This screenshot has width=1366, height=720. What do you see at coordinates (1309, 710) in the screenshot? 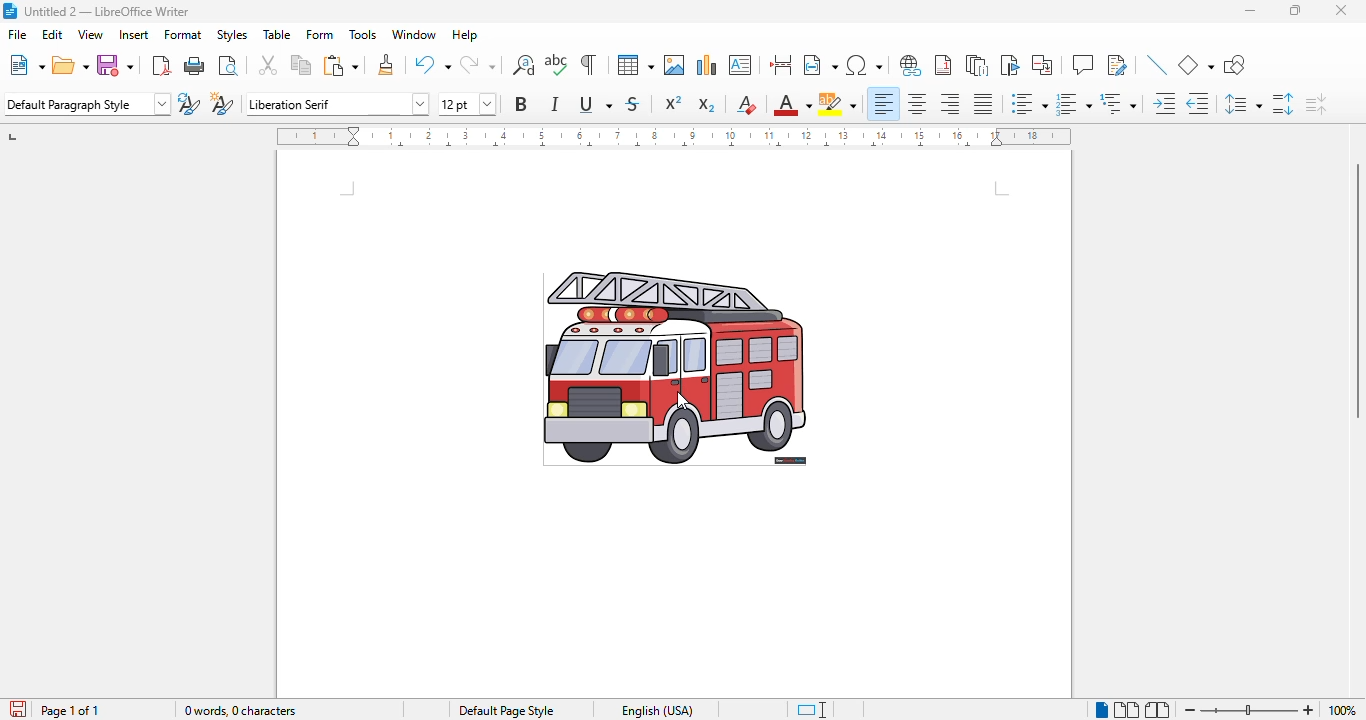
I see `zoom in` at bounding box center [1309, 710].